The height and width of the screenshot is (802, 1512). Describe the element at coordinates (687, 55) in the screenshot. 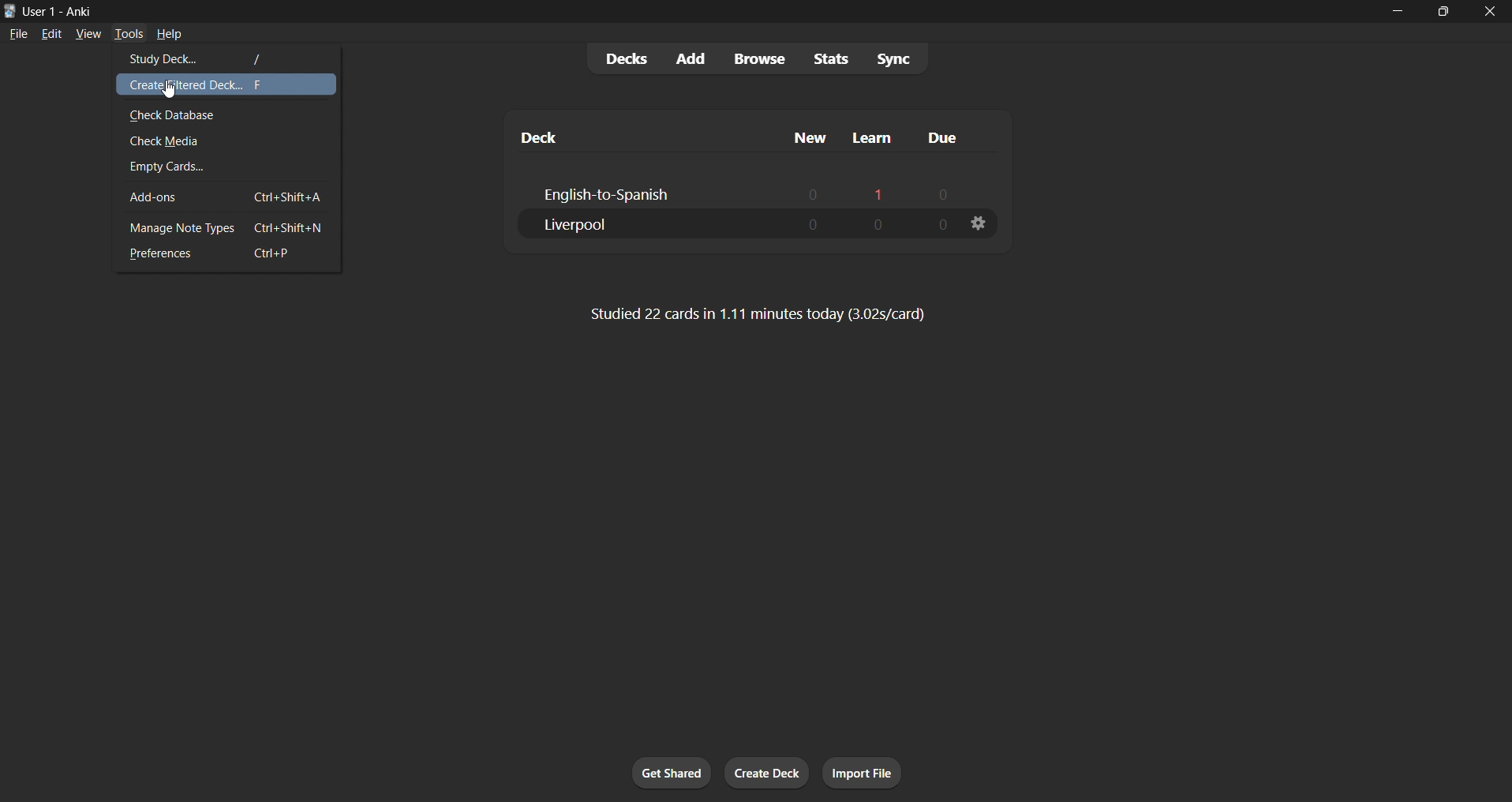

I see `add` at that location.